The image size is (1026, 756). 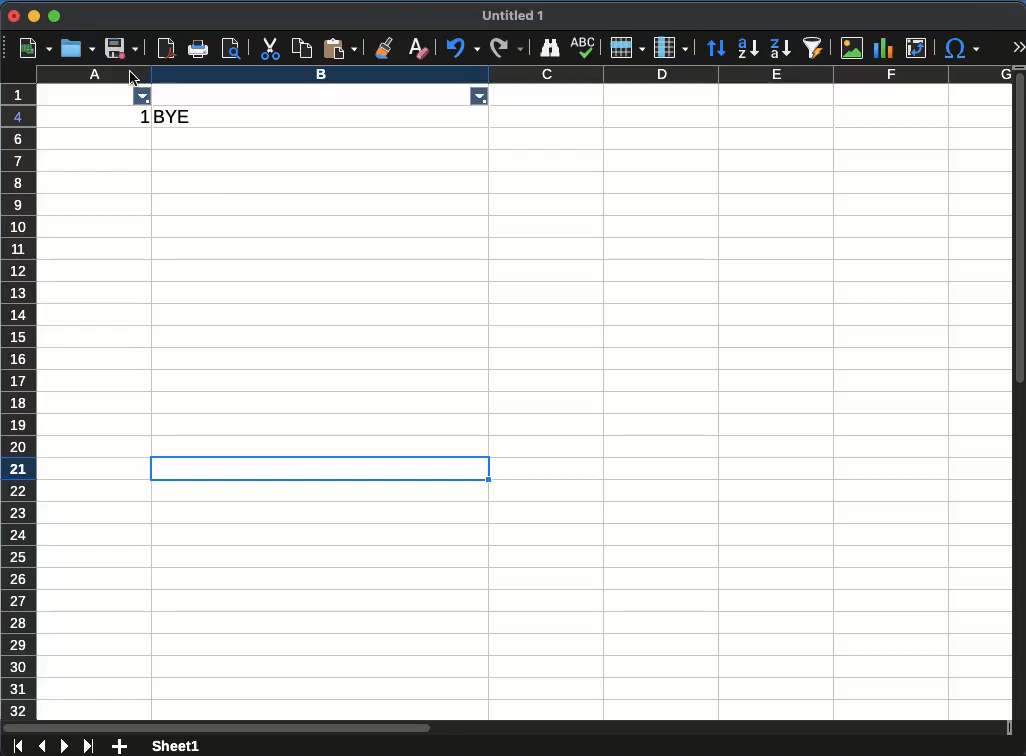 I want to click on previous sheet, so click(x=42, y=745).